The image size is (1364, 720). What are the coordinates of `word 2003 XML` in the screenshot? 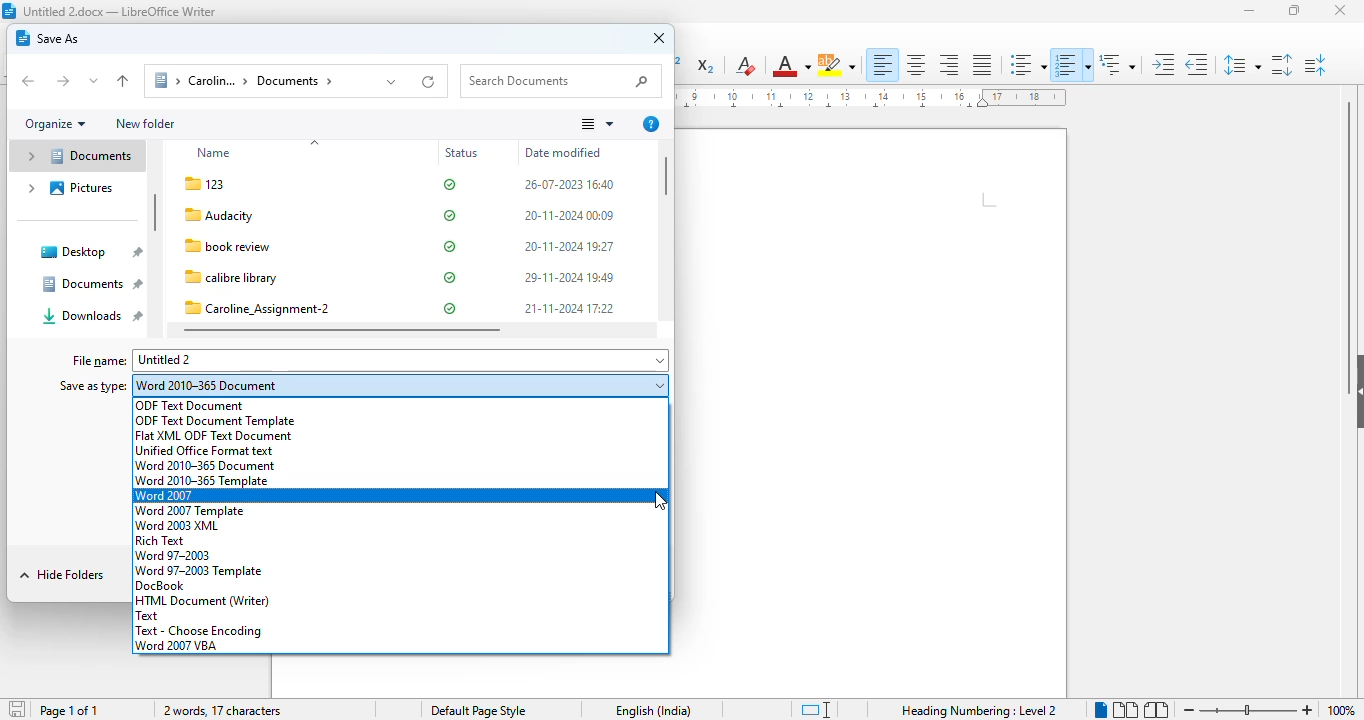 It's located at (176, 526).